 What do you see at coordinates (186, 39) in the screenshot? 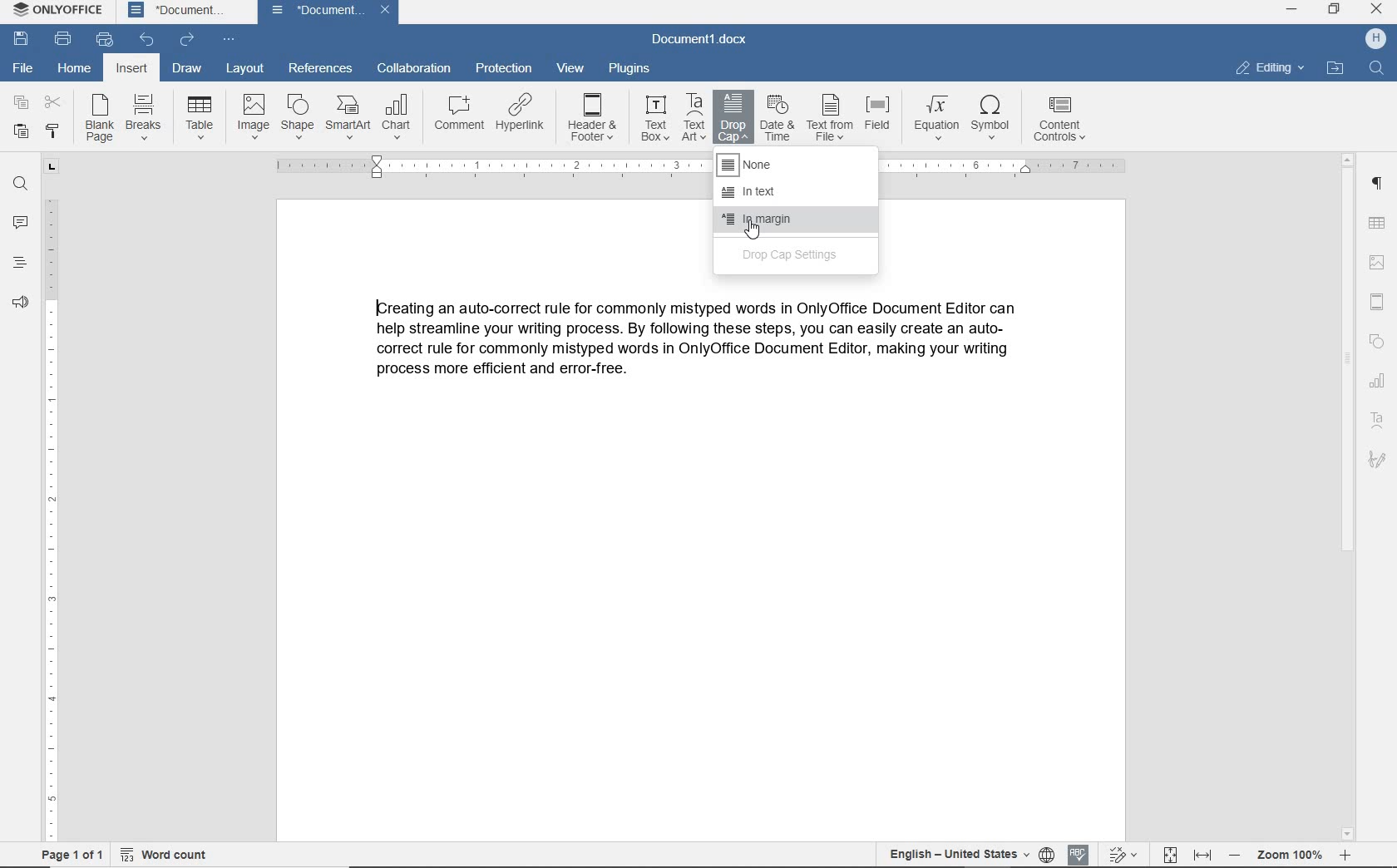
I see `redo` at bounding box center [186, 39].